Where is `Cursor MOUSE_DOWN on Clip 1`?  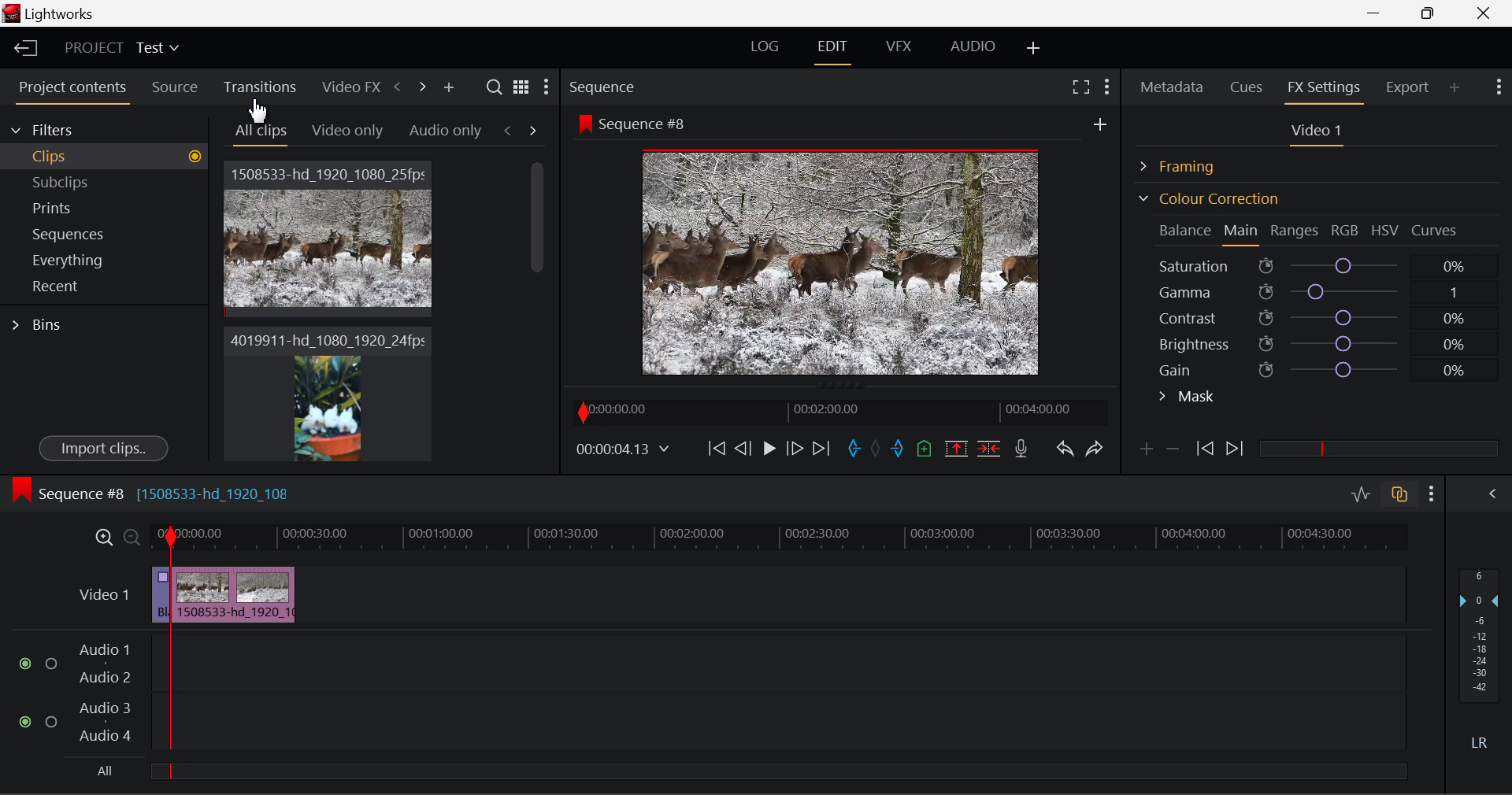 Cursor MOUSE_DOWN on Clip 1 is located at coordinates (329, 254).